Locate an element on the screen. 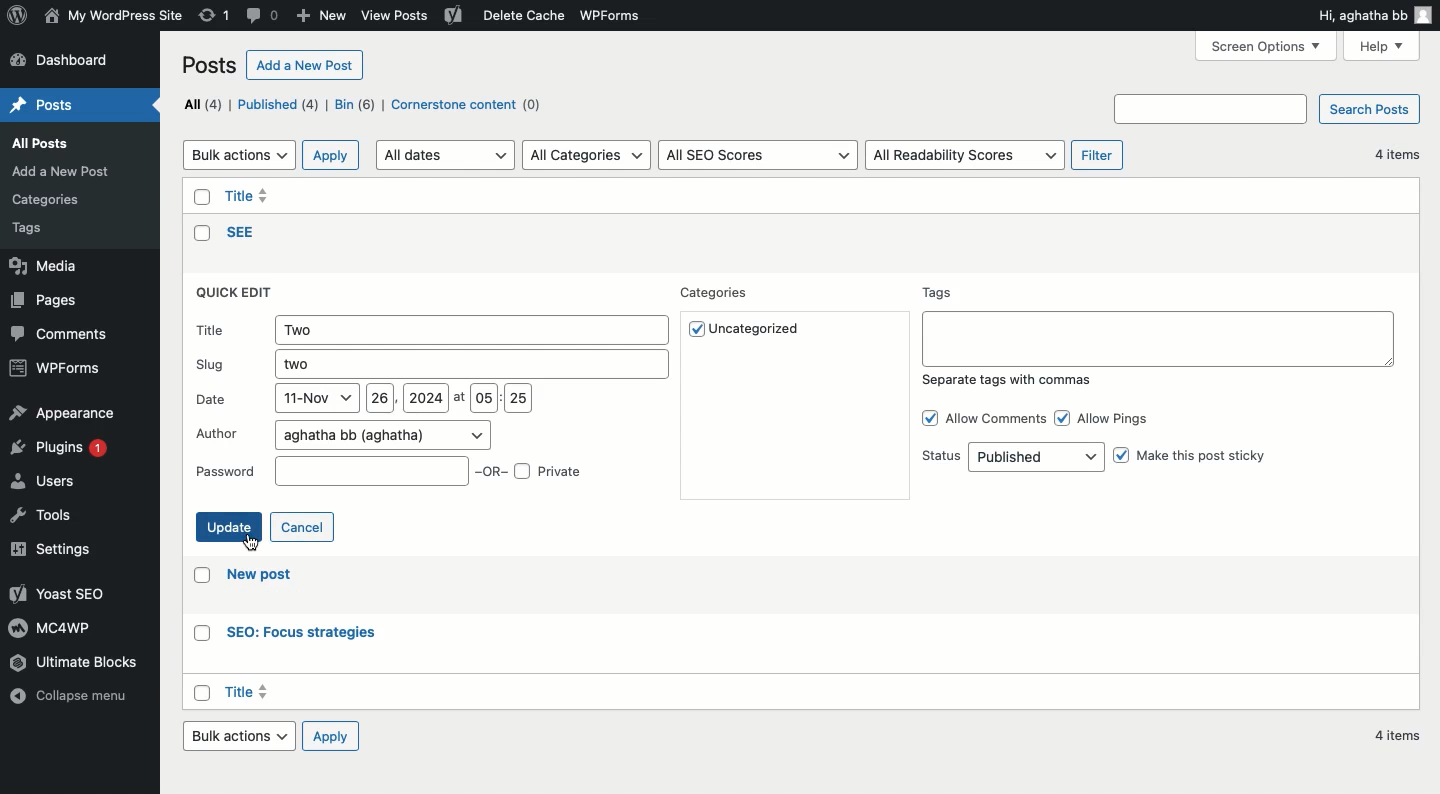  categories is located at coordinates (53, 196).